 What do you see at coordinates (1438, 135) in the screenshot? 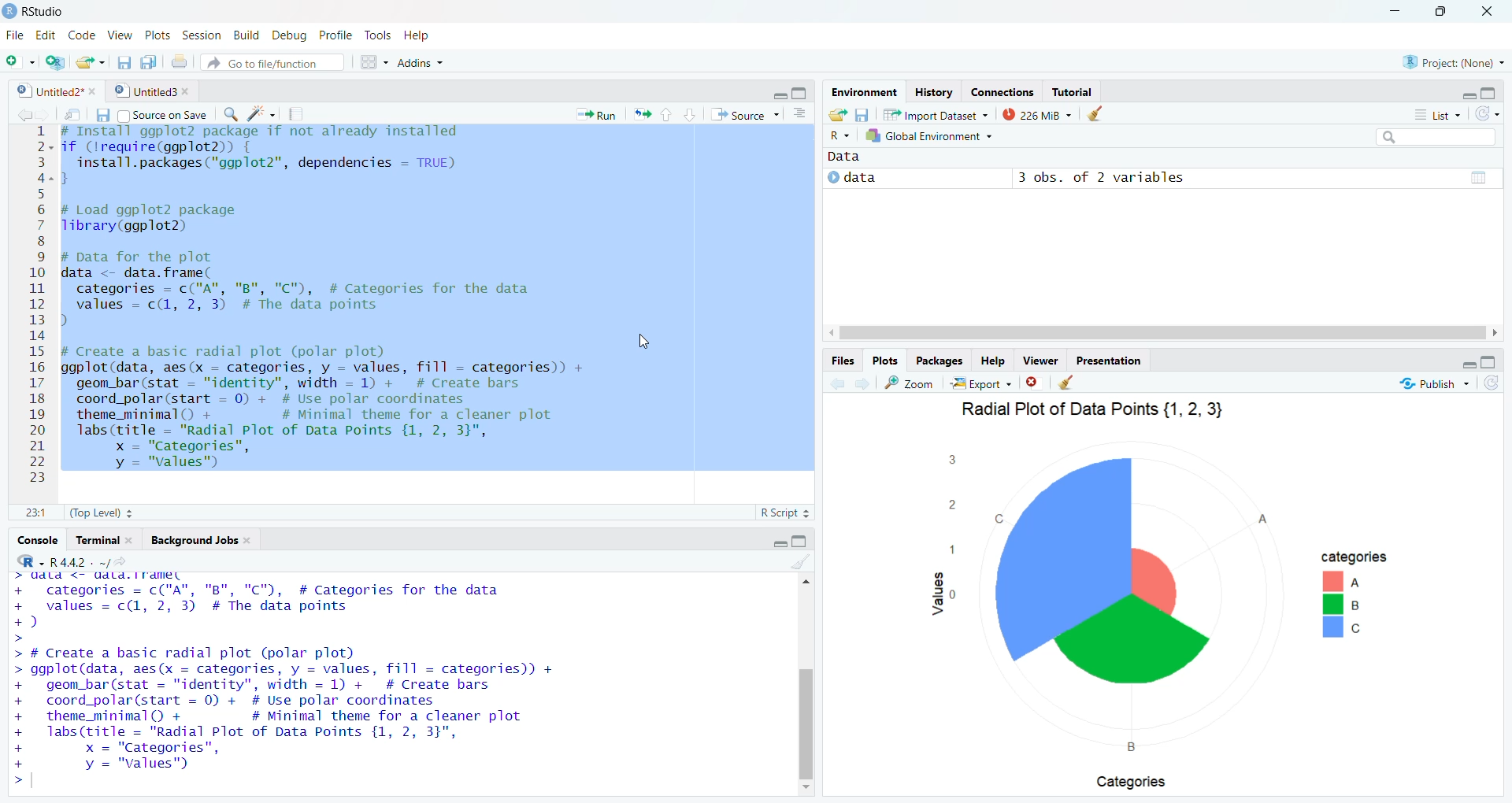
I see `Search bar` at bounding box center [1438, 135].